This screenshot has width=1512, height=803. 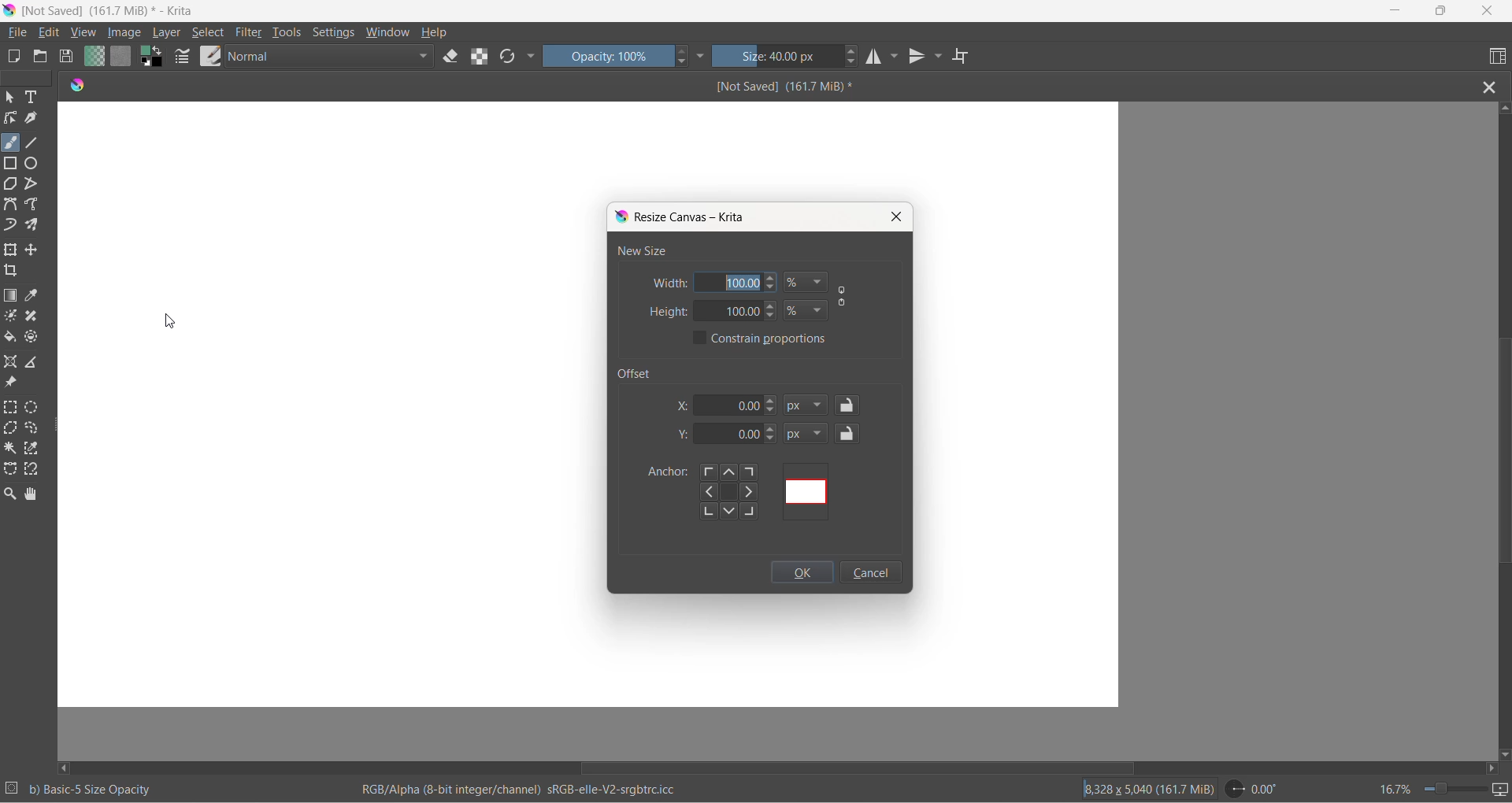 What do you see at coordinates (35, 140) in the screenshot?
I see `line tool` at bounding box center [35, 140].